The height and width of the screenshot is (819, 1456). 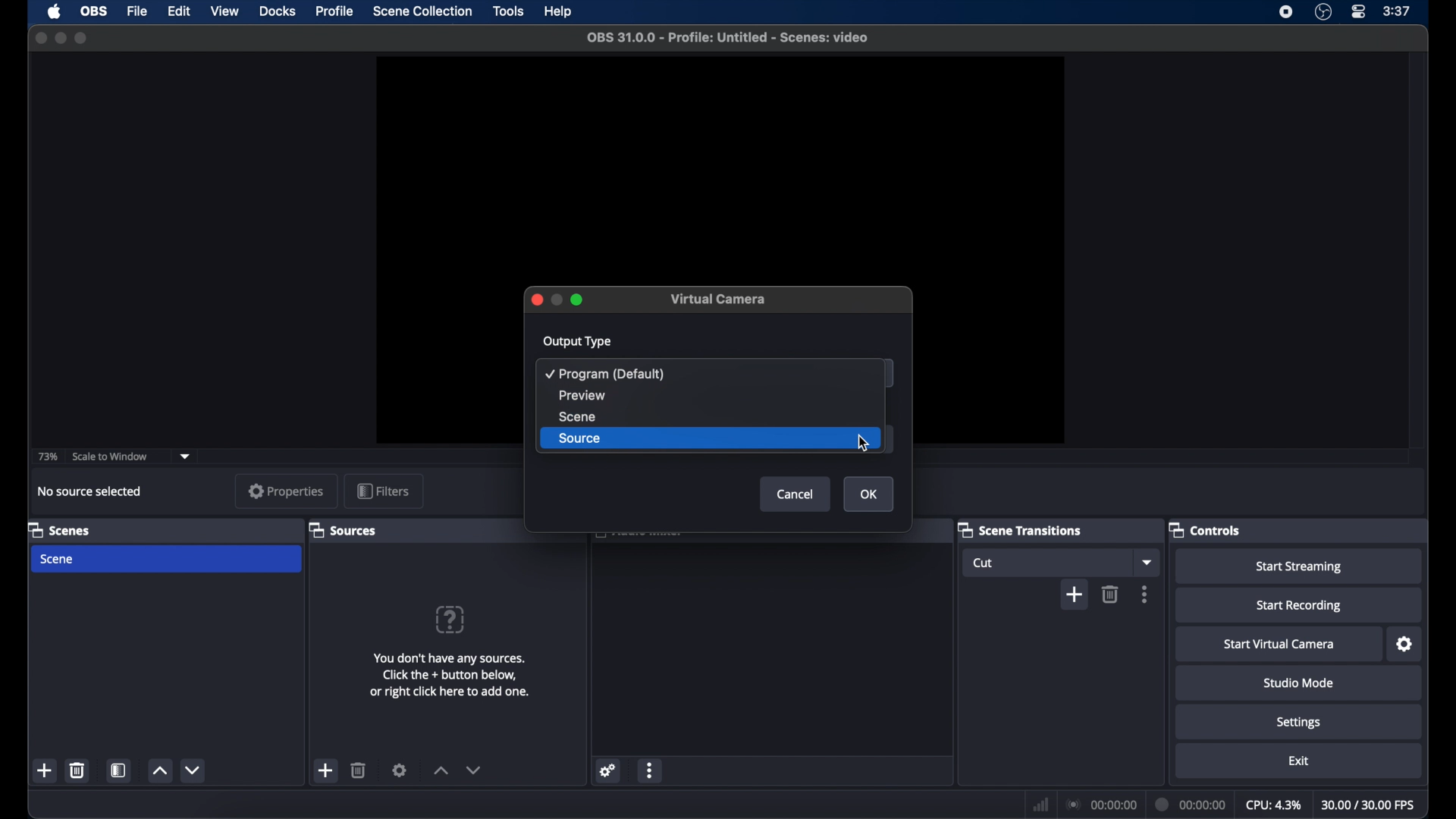 What do you see at coordinates (45, 771) in the screenshot?
I see `add` at bounding box center [45, 771].